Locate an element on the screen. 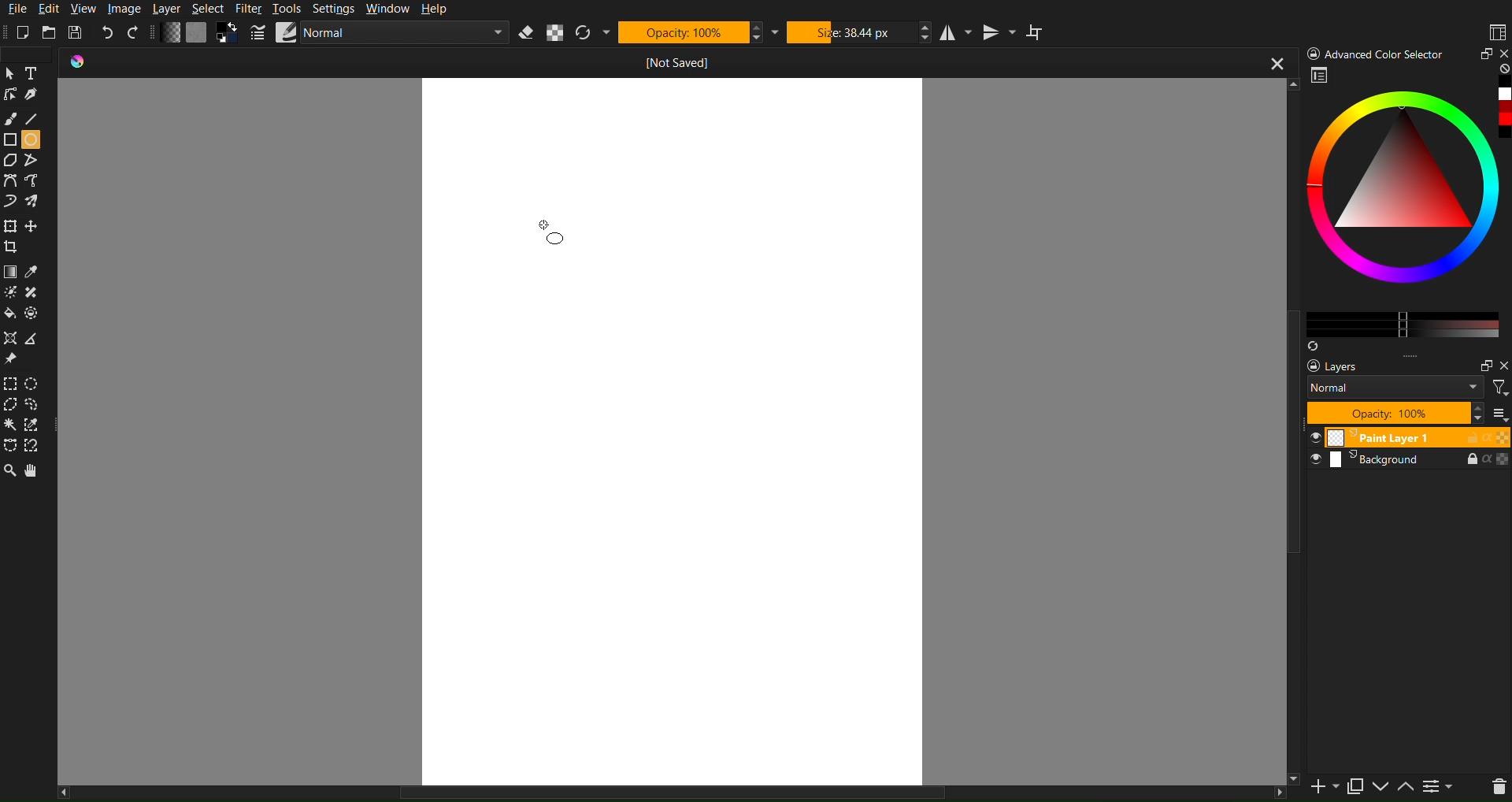  none is located at coordinates (1501, 69).